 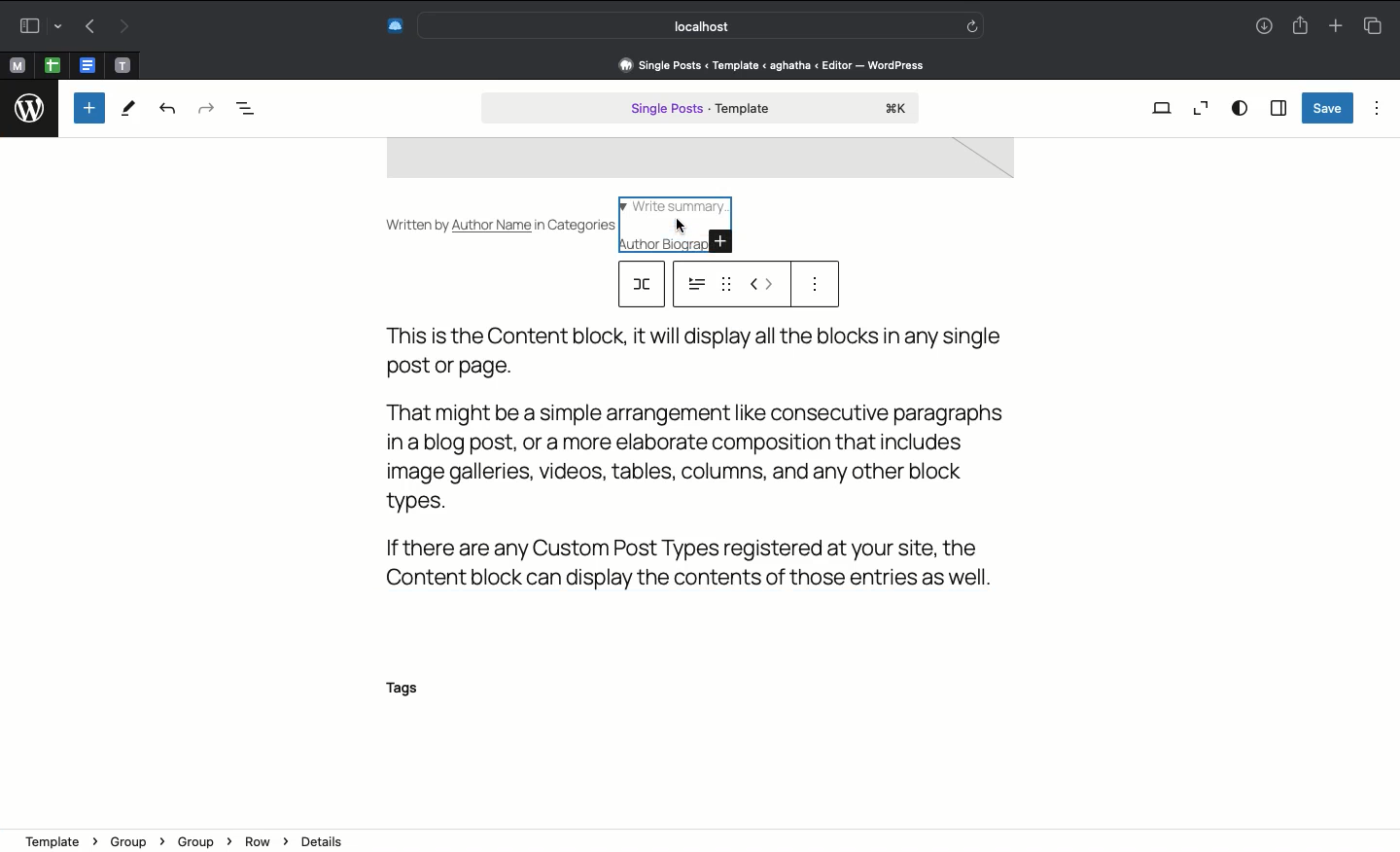 I want to click on Back, so click(x=89, y=27).